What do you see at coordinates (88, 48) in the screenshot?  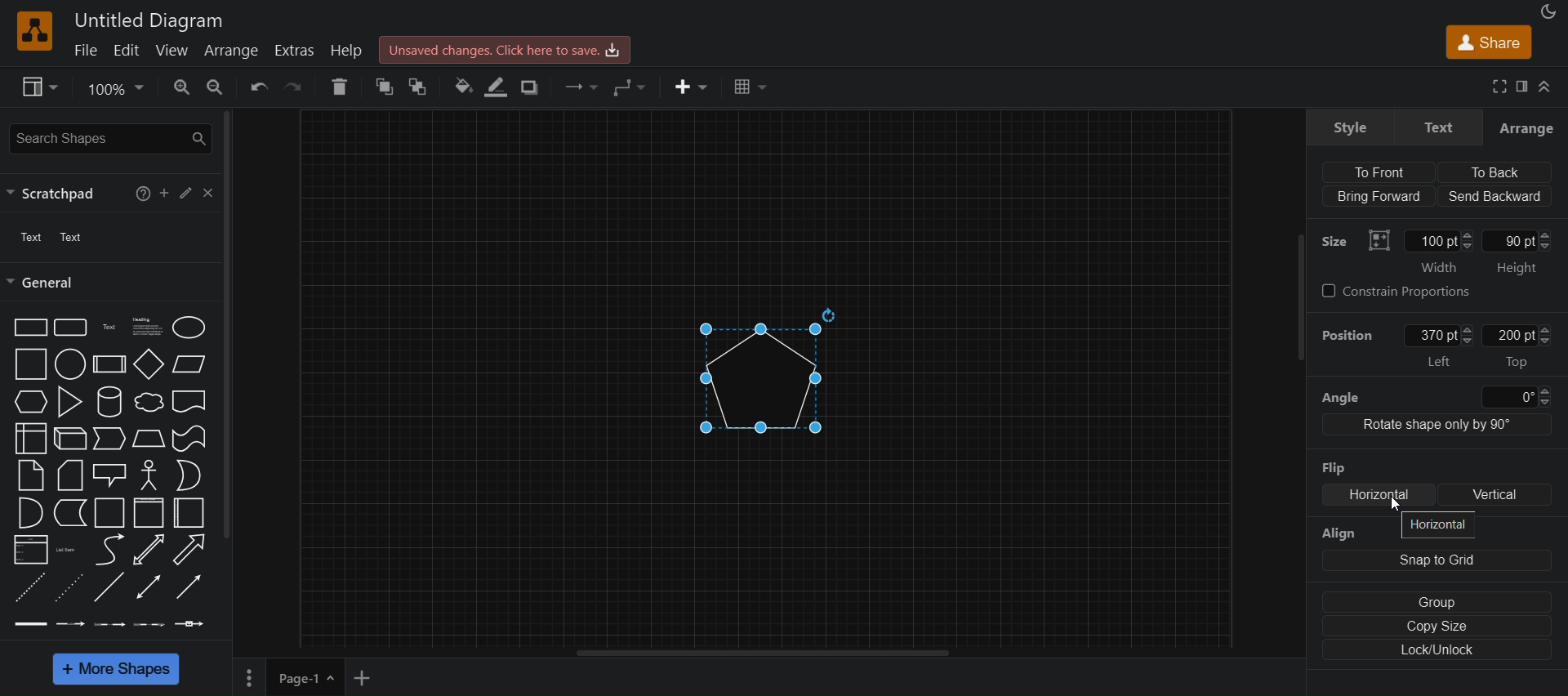 I see `file` at bounding box center [88, 48].